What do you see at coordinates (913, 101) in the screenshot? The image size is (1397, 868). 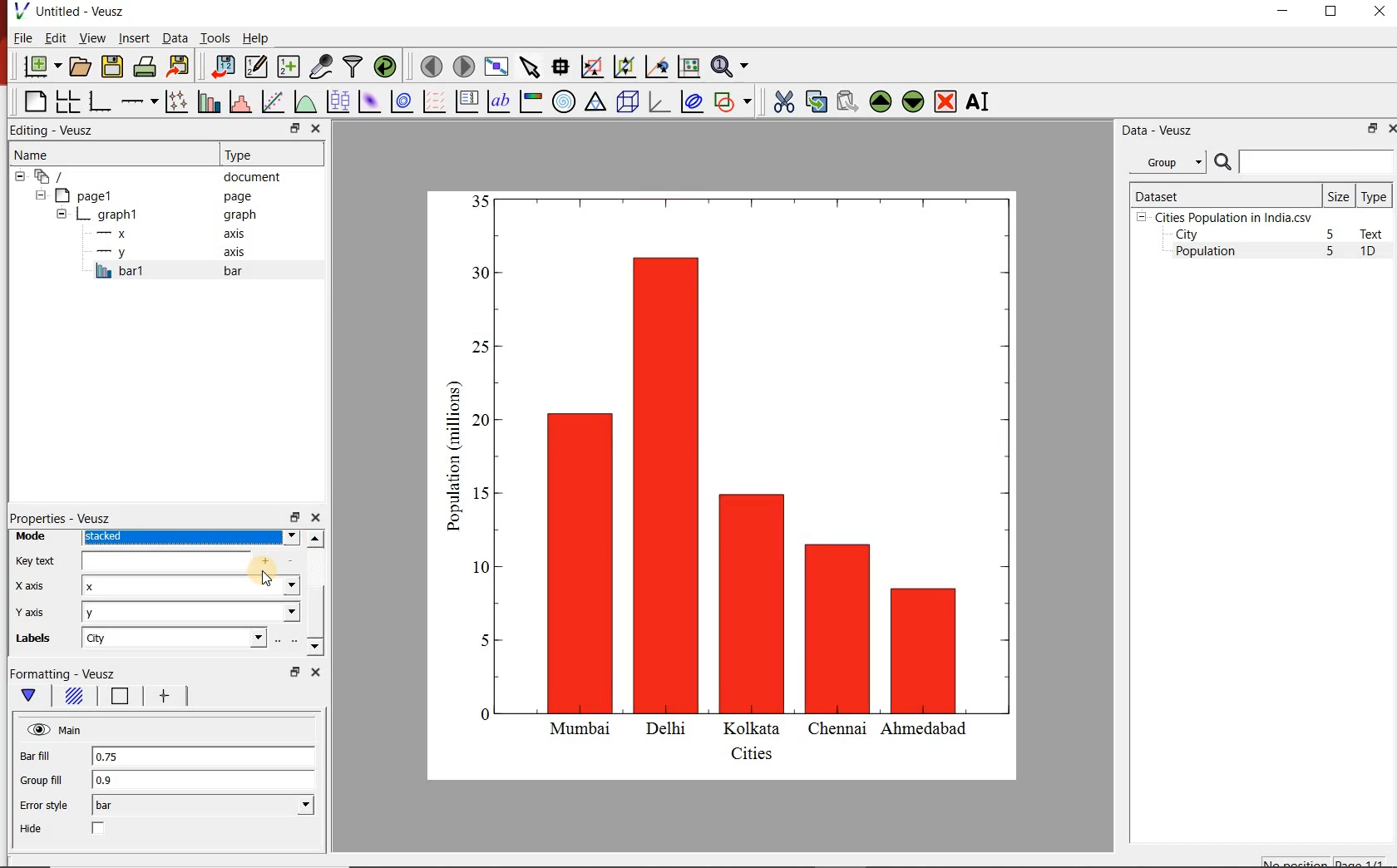 I see `move the selected widget down` at bounding box center [913, 101].